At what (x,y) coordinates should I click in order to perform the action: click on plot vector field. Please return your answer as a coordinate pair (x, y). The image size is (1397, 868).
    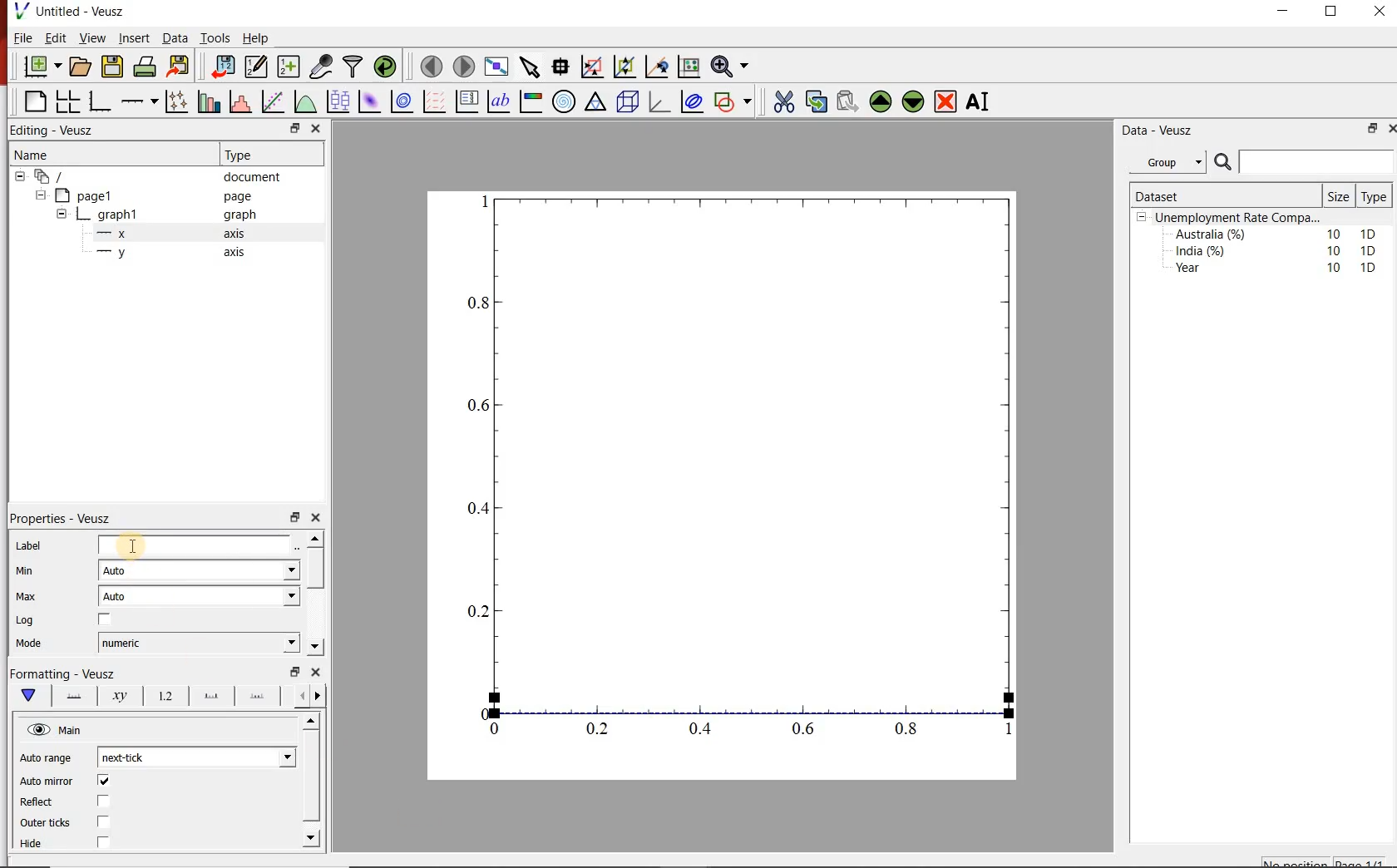
    Looking at the image, I should click on (433, 101).